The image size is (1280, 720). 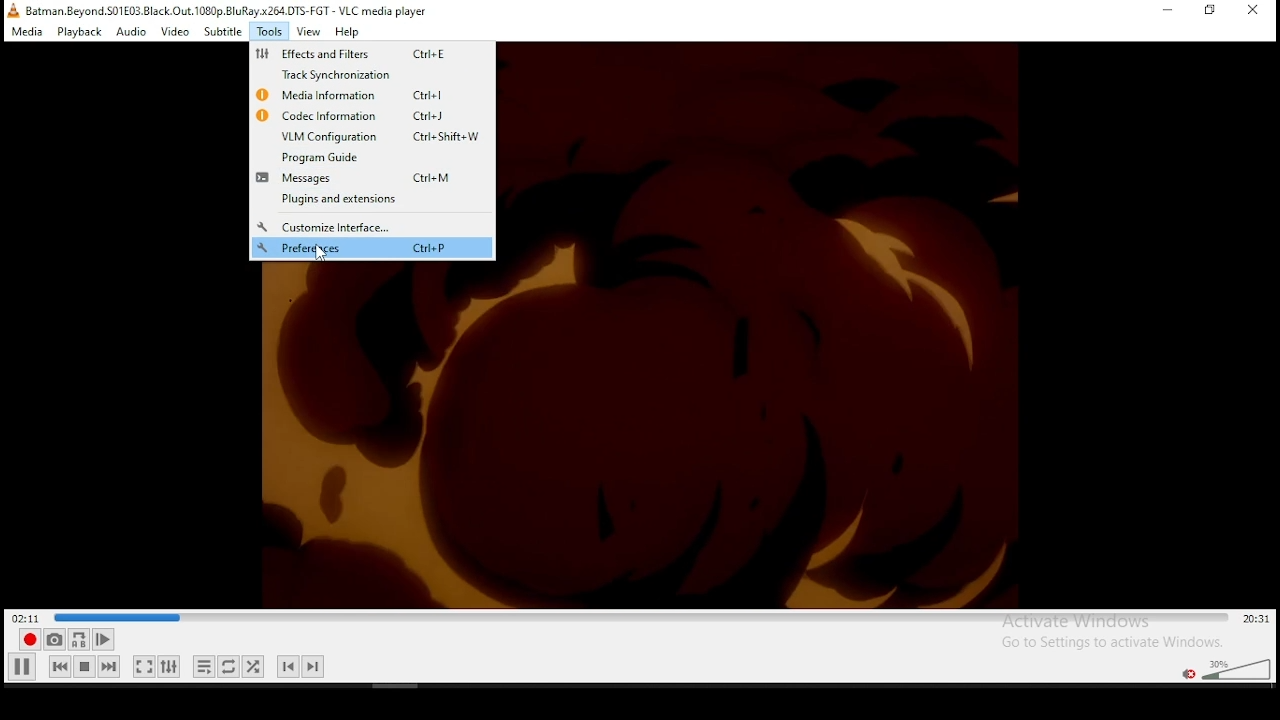 What do you see at coordinates (1258, 619) in the screenshot?
I see `total/remaining time` at bounding box center [1258, 619].